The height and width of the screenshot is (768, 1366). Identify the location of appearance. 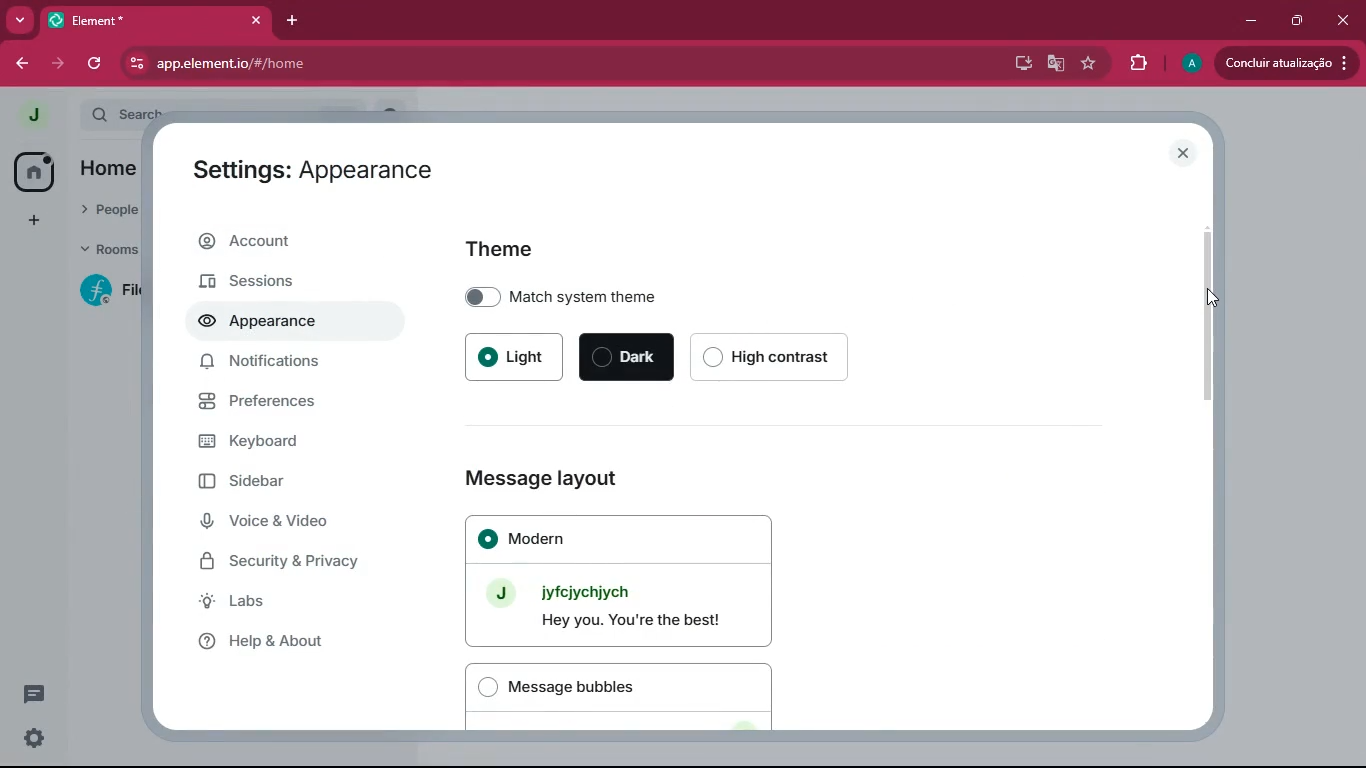
(266, 324).